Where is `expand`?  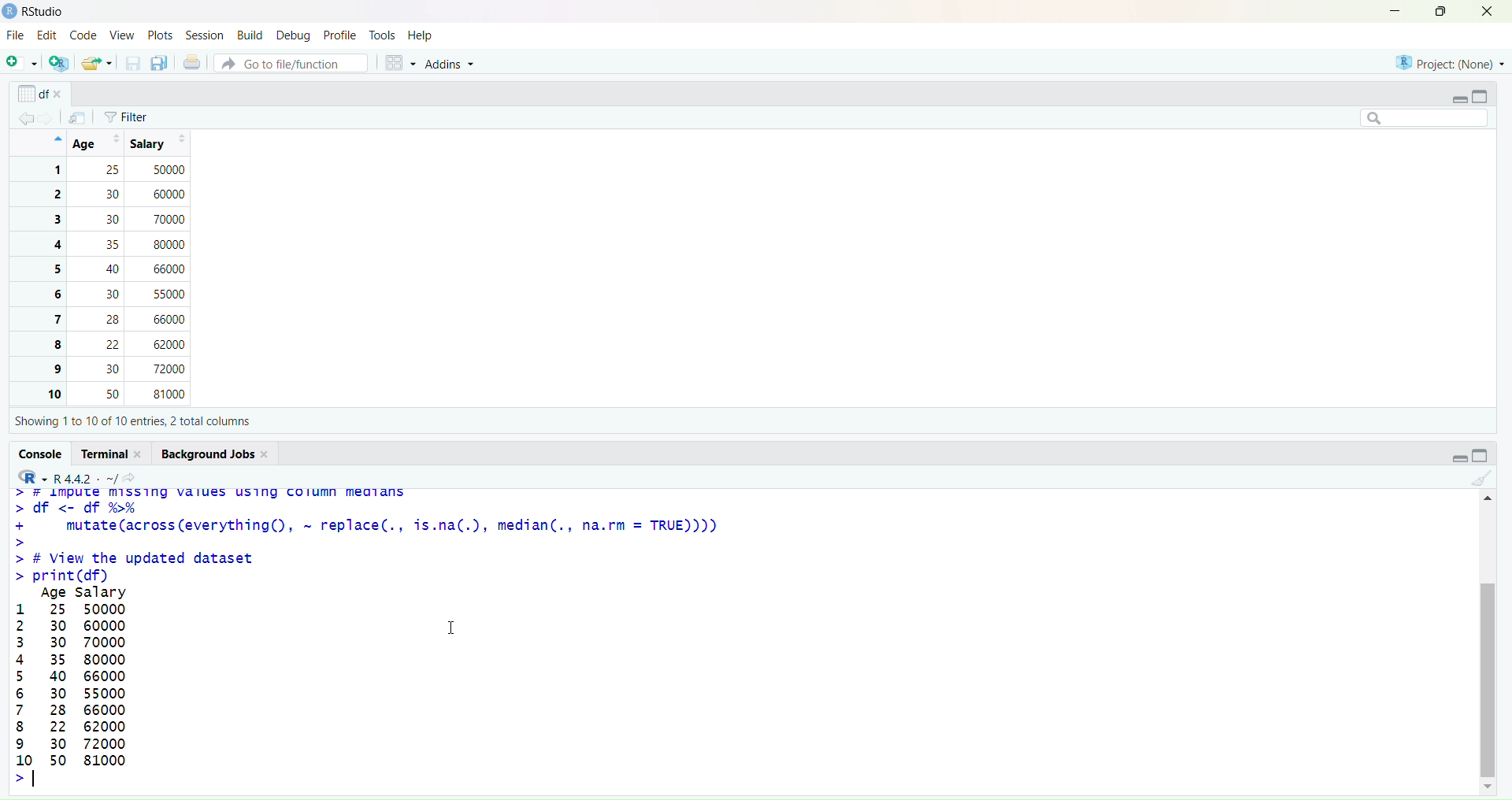 expand is located at coordinates (1454, 457).